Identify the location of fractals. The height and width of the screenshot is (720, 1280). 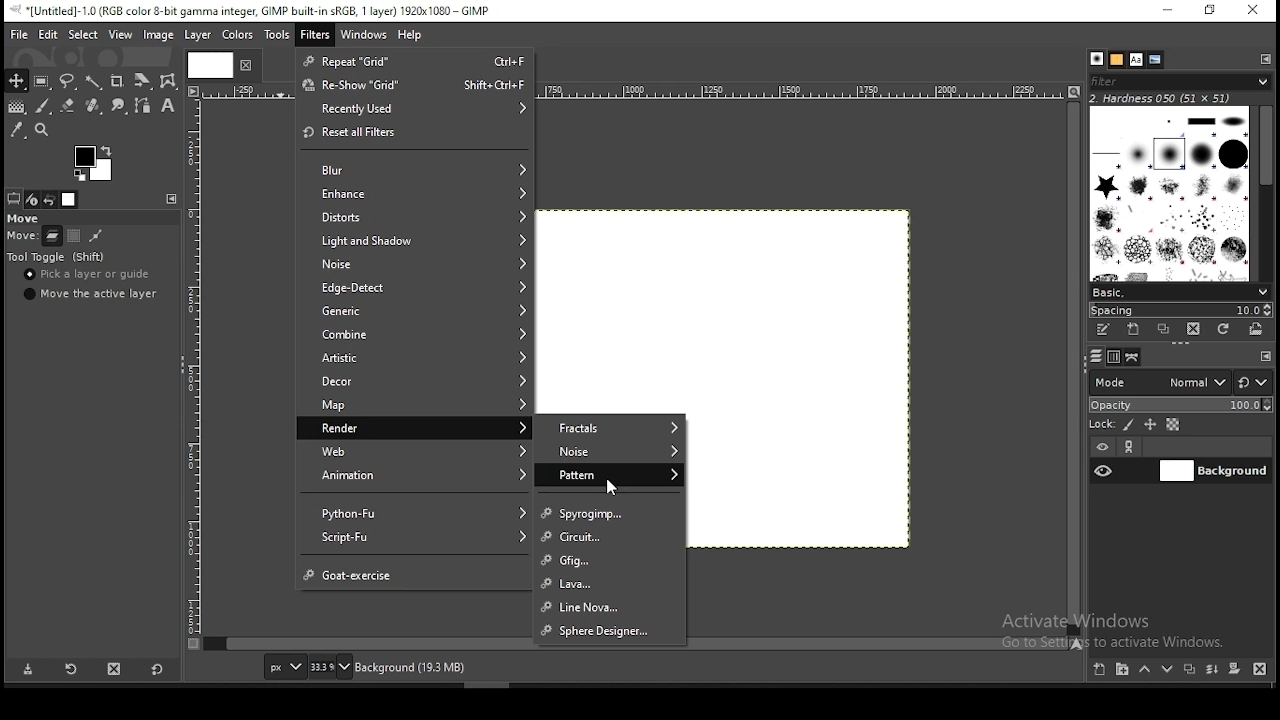
(610, 426).